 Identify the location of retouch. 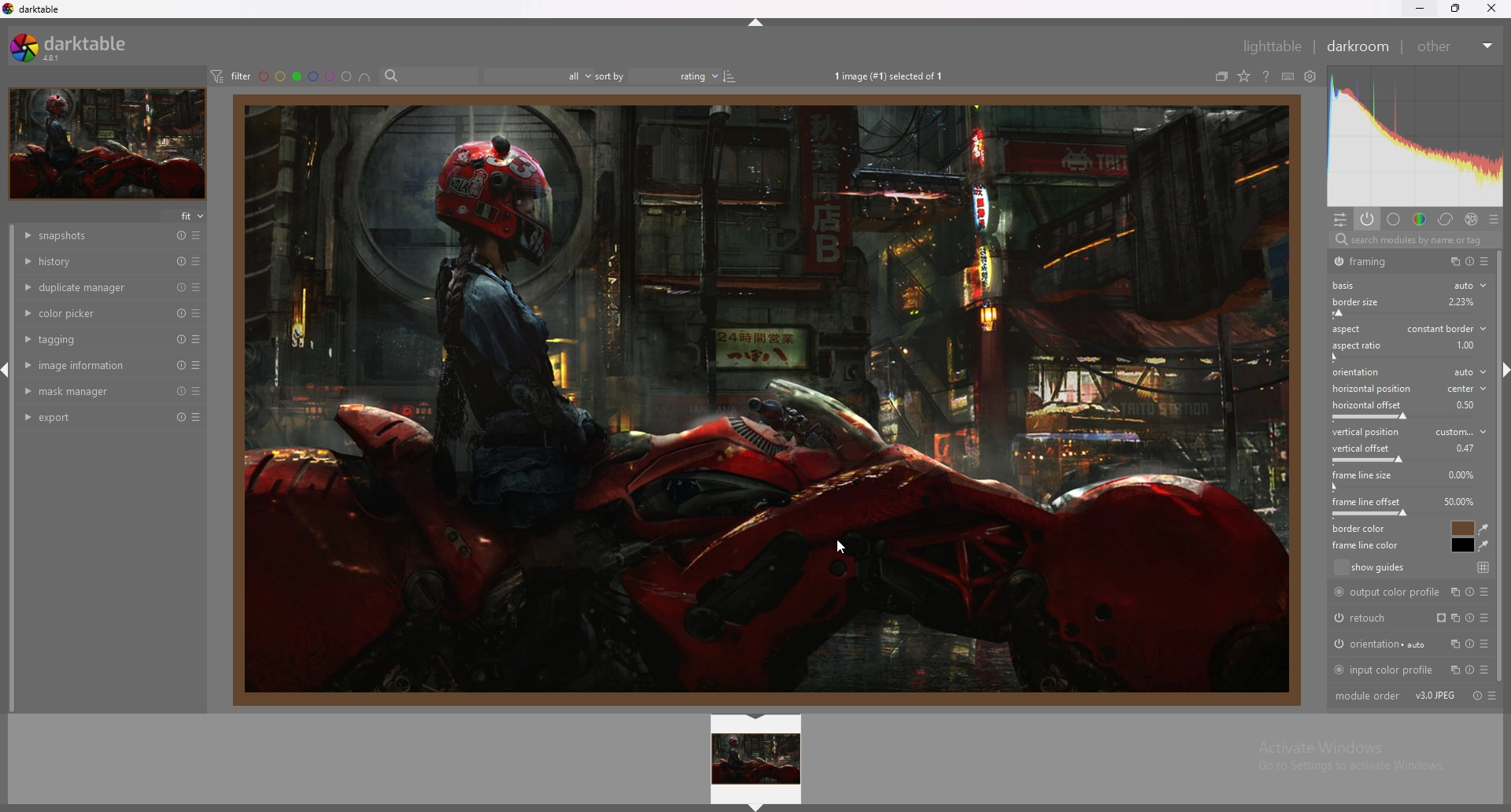
(1404, 617).